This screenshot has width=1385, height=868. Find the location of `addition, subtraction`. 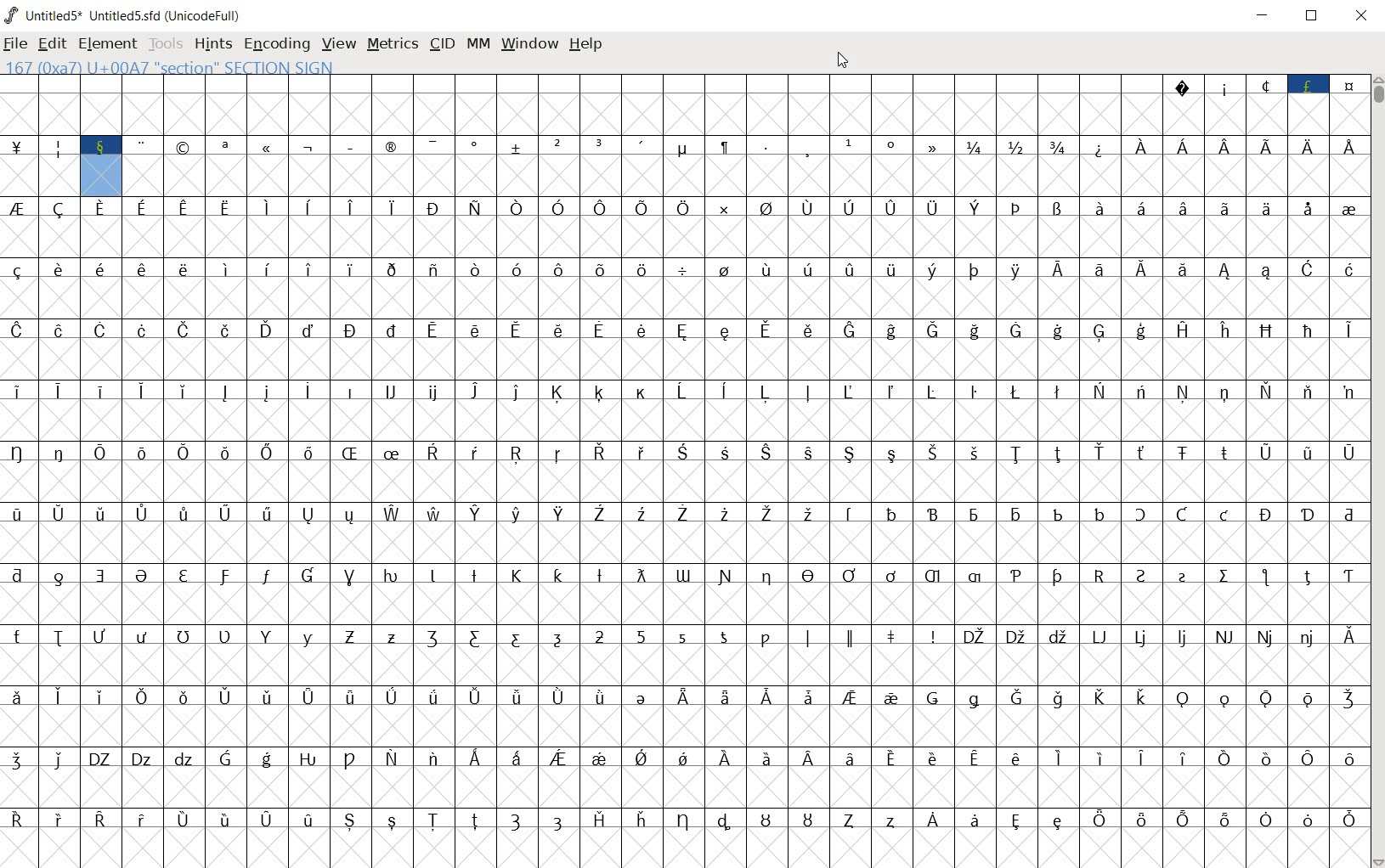

addition, subtraction is located at coordinates (477, 167).